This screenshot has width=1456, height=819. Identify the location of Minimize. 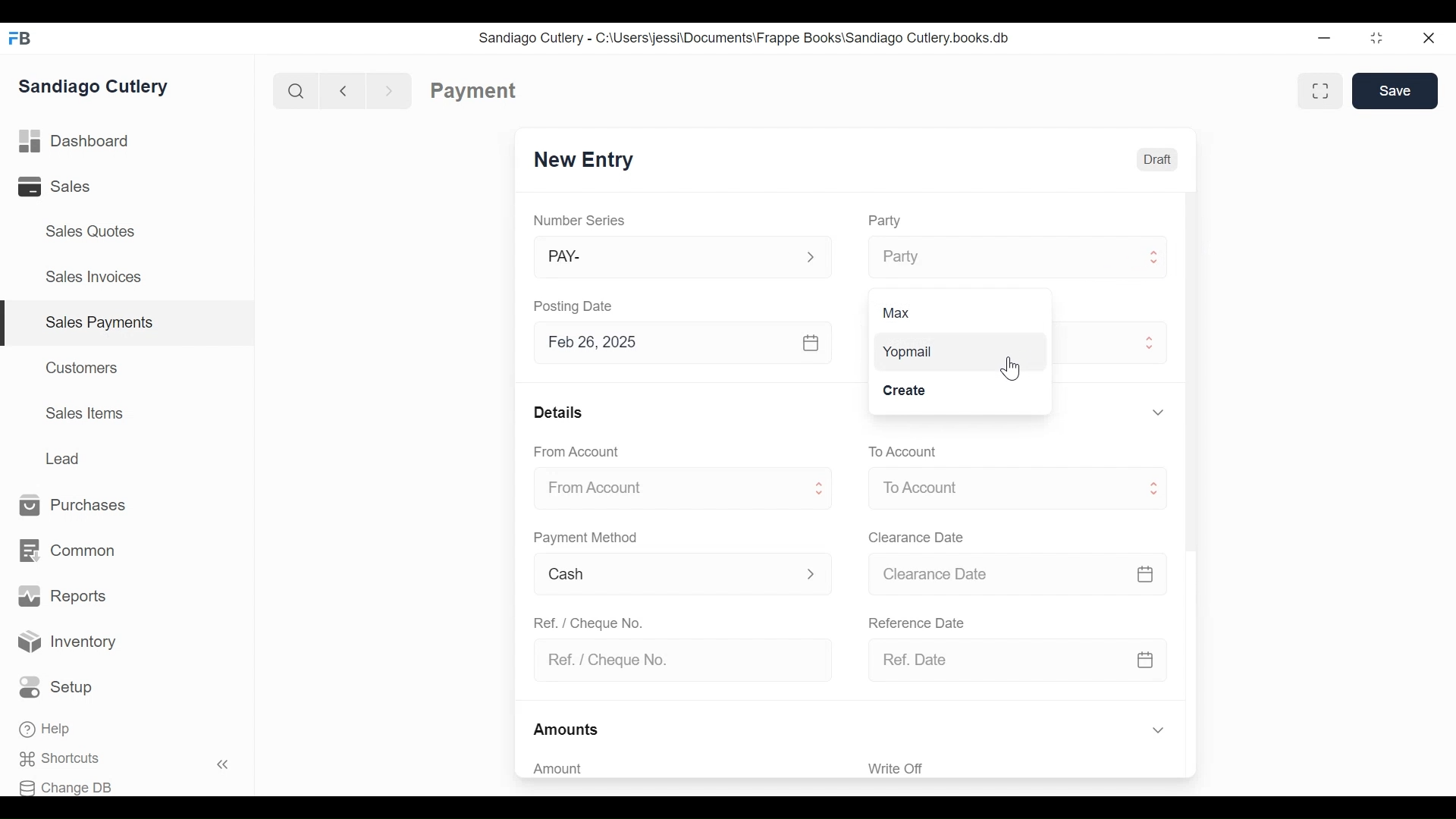
(1324, 39).